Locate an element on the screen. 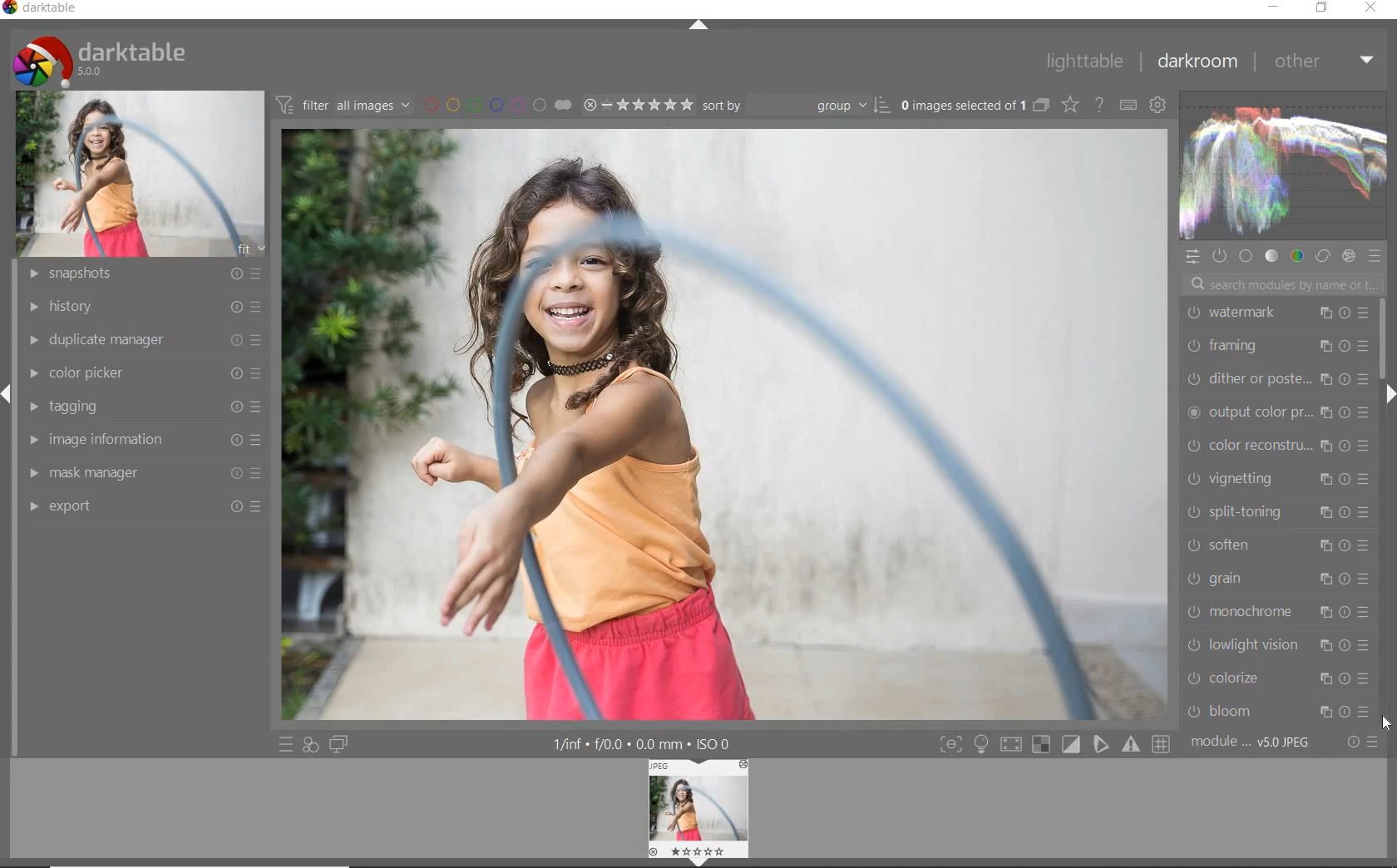  scrollbar is located at coordinates (1381, 338).